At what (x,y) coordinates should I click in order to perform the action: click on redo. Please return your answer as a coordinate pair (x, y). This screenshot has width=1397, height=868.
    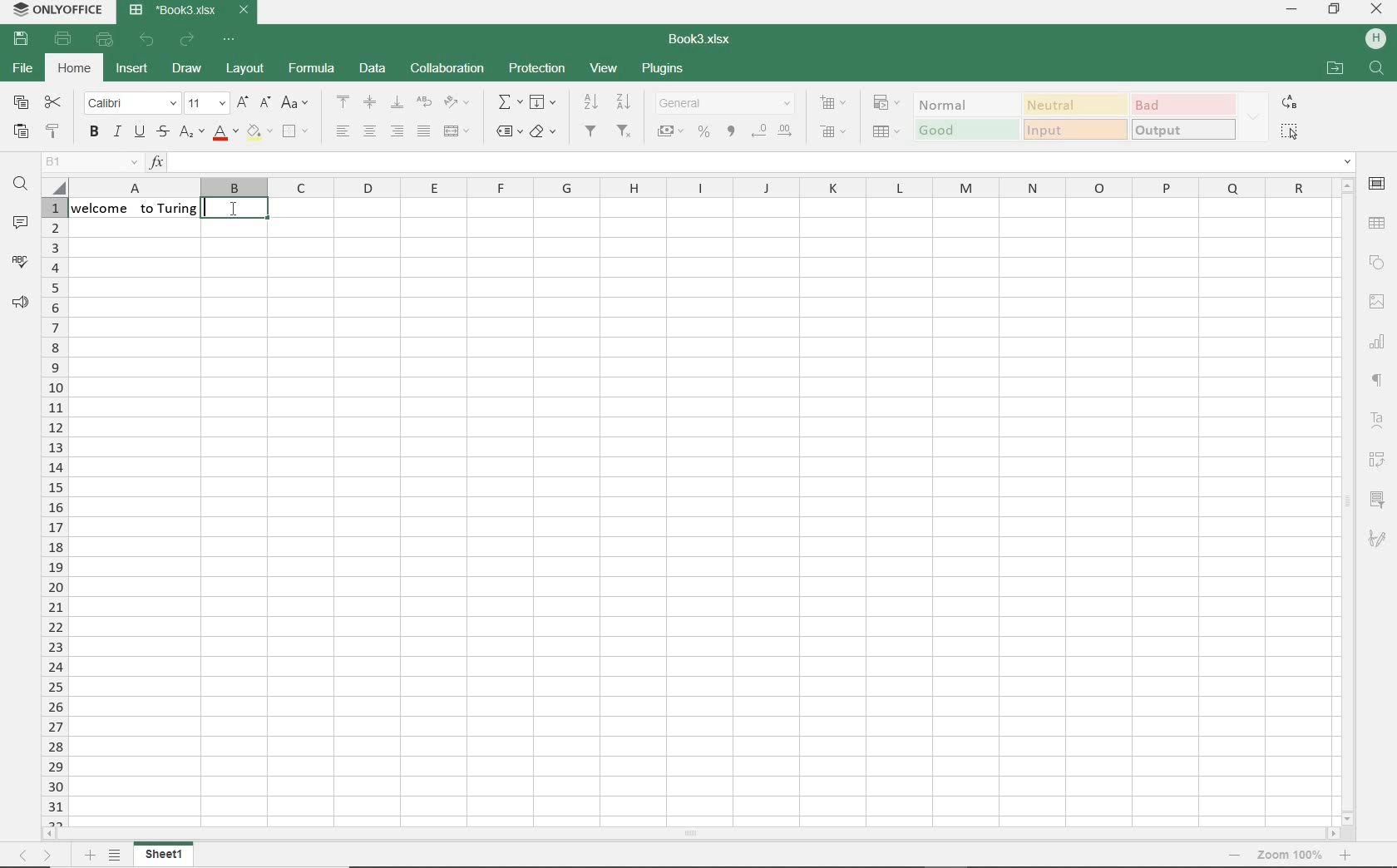
    Looking at the image, I should click on (186, 40).